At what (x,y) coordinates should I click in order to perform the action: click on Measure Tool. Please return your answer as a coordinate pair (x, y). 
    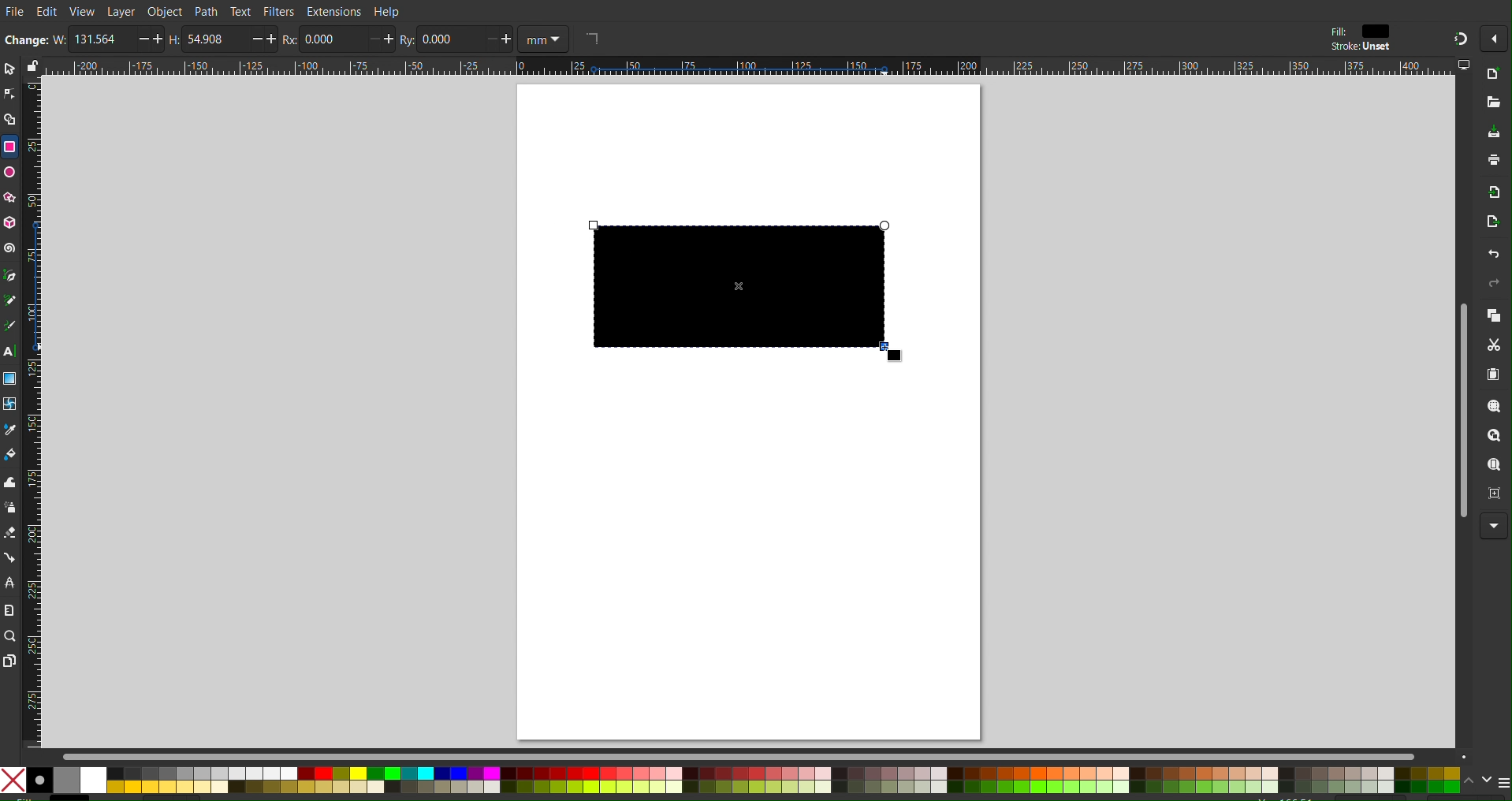
    Looking at the image, I should click on (9, 610).